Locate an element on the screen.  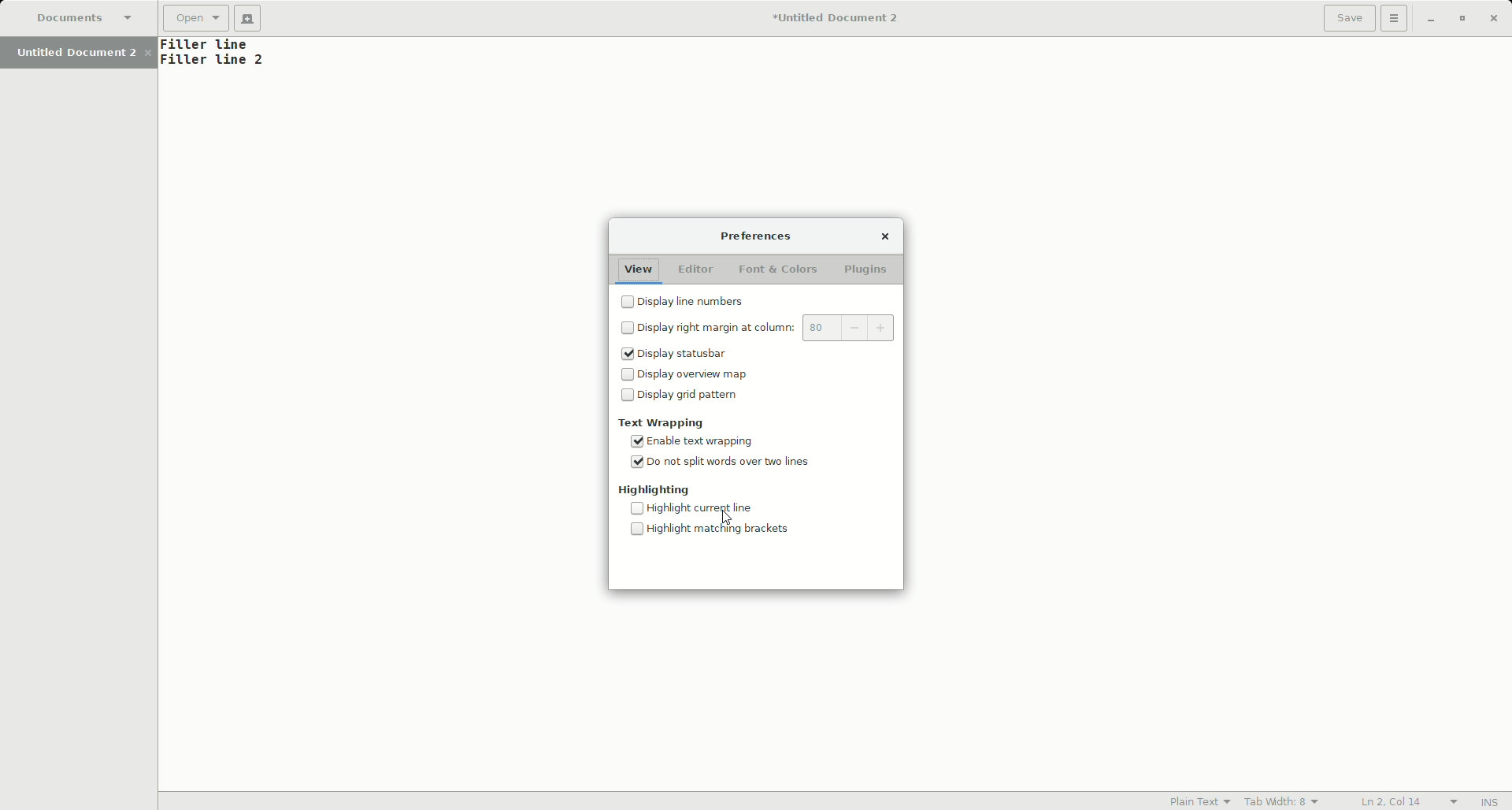
Untitled Document 2 is located at coordinates (83, 52).